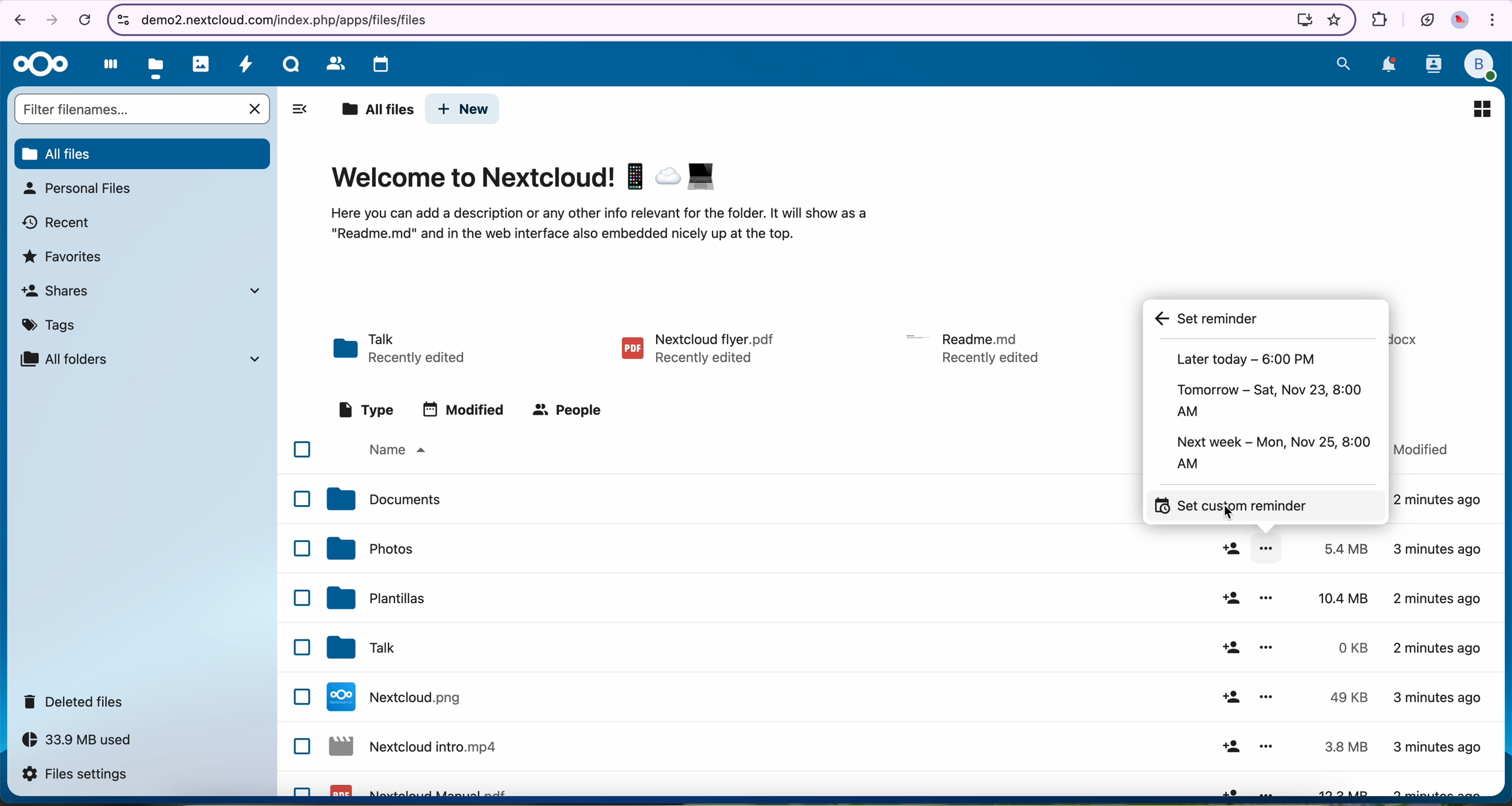 Image resolution: width=1512 pixels, height=806 pixels. What do you see at coordinates (143, 154) in the screenshot?
I see `all files` at bounding box center [143, 154].